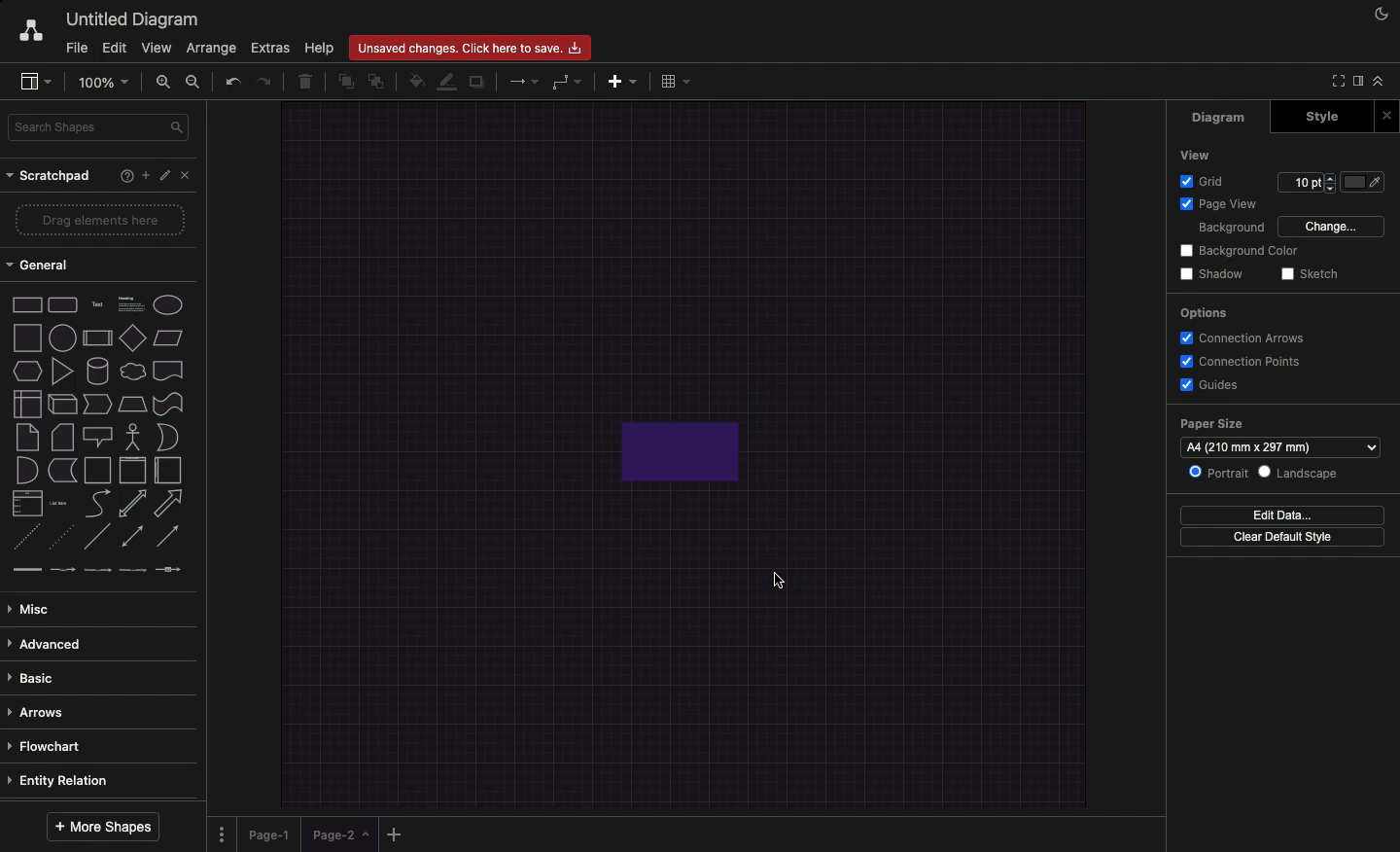 The image size is (1400, 852). I want to click on process, so click(96, 338).